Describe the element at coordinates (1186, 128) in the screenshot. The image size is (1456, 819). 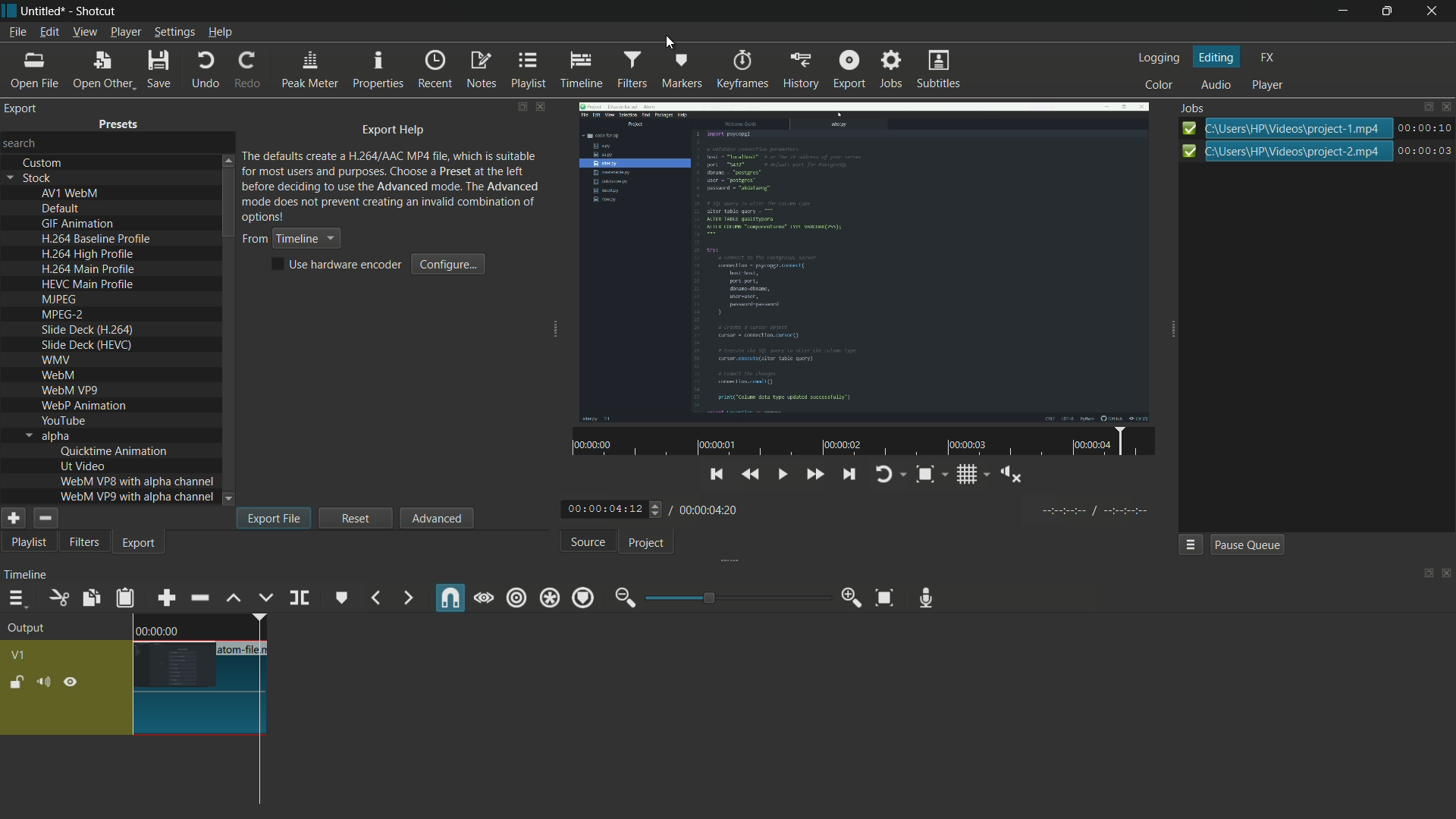
I see `export icon` at that location.